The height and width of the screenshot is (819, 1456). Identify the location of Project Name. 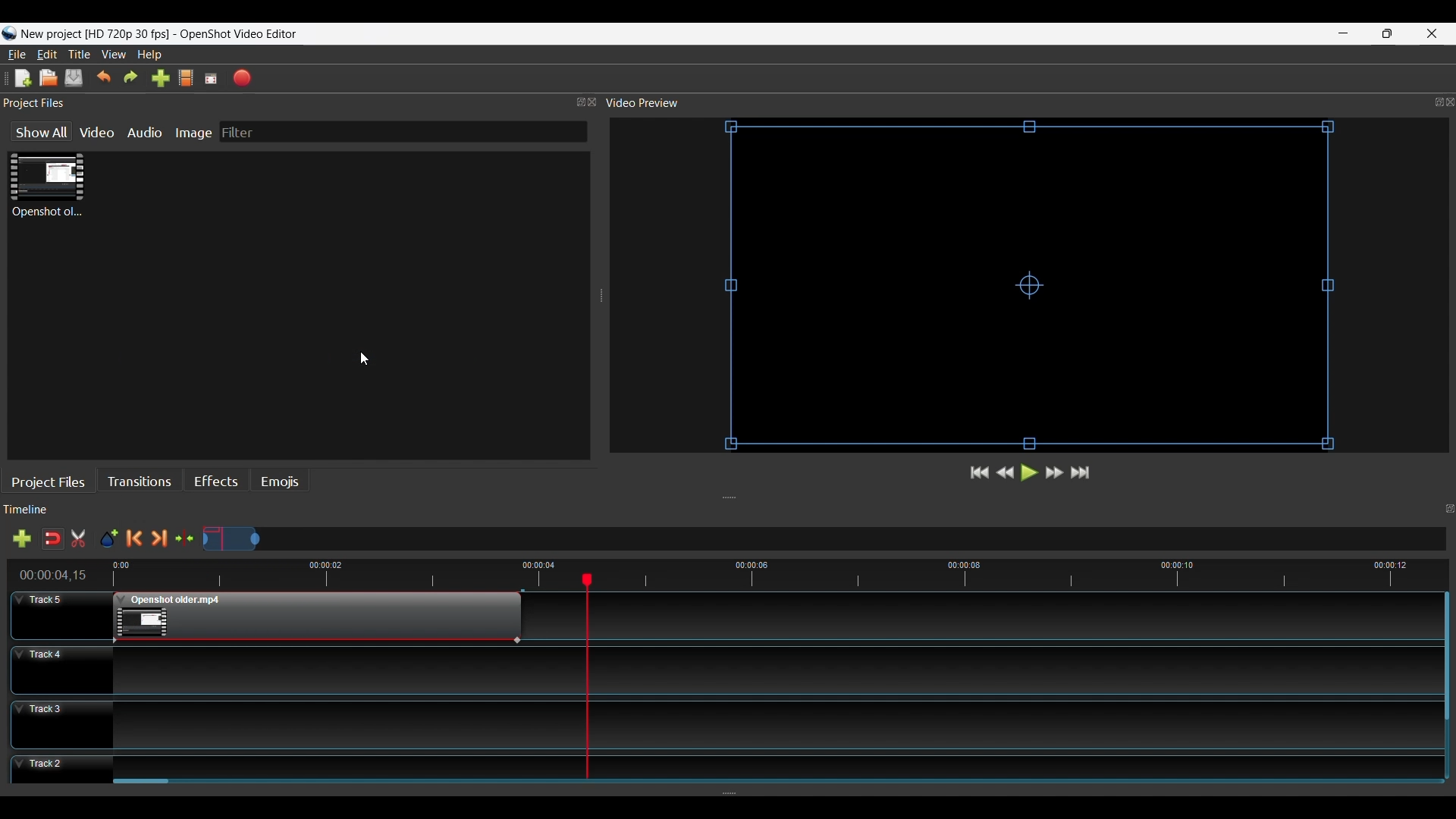
(95, 35).